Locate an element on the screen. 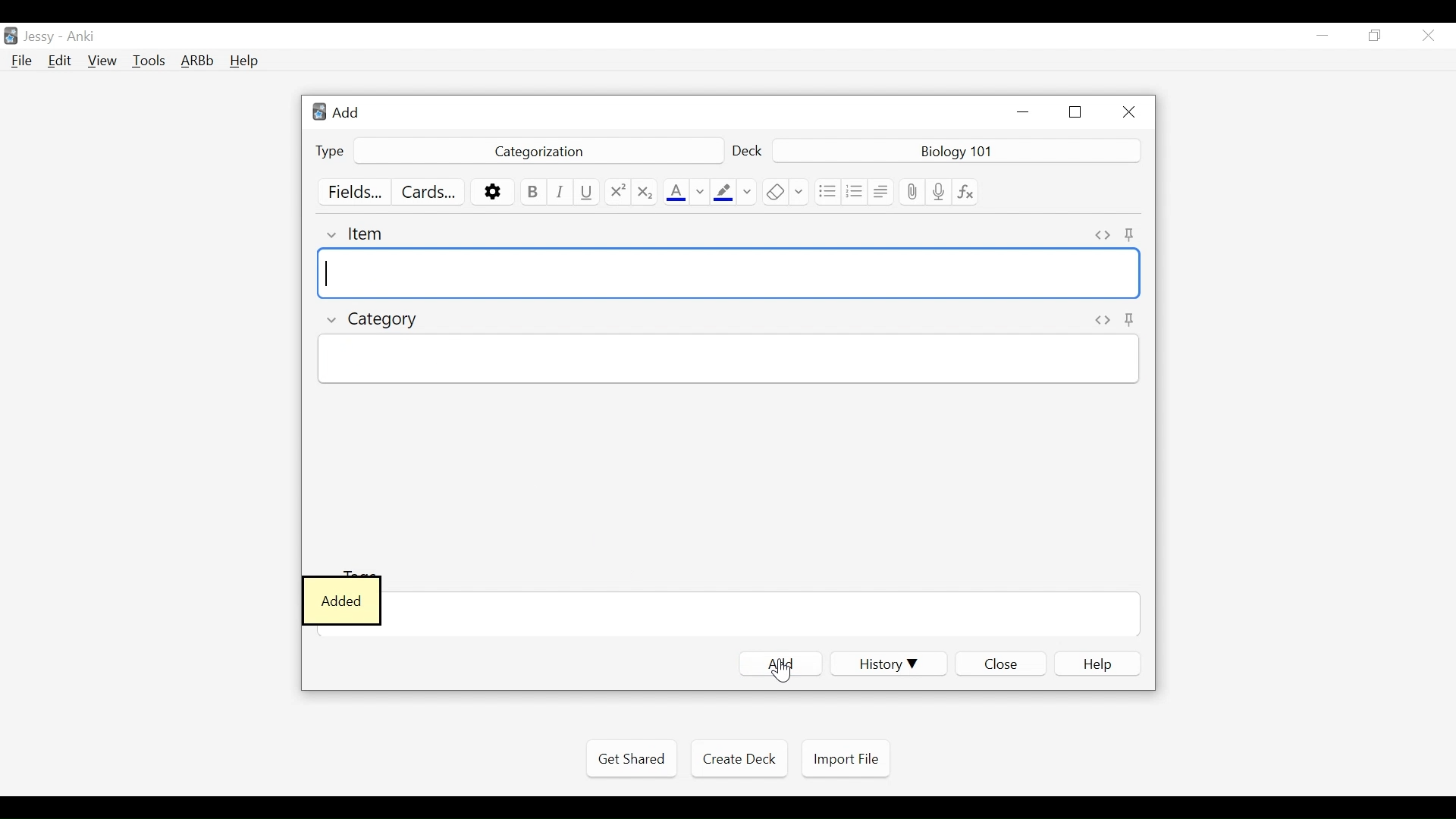 The height and width of the screenshot is (819, 1456). Edit is located at coordinates (58, 62).